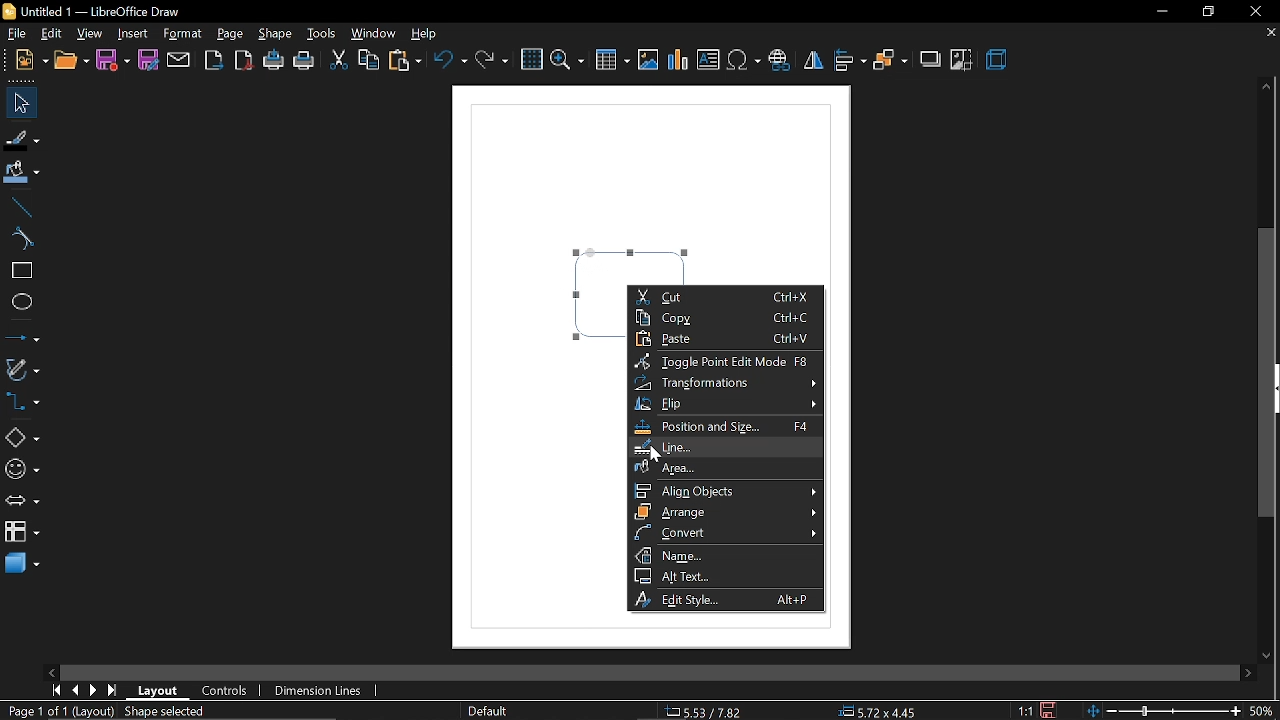  I want to click on close tab, so click(1270, 34).